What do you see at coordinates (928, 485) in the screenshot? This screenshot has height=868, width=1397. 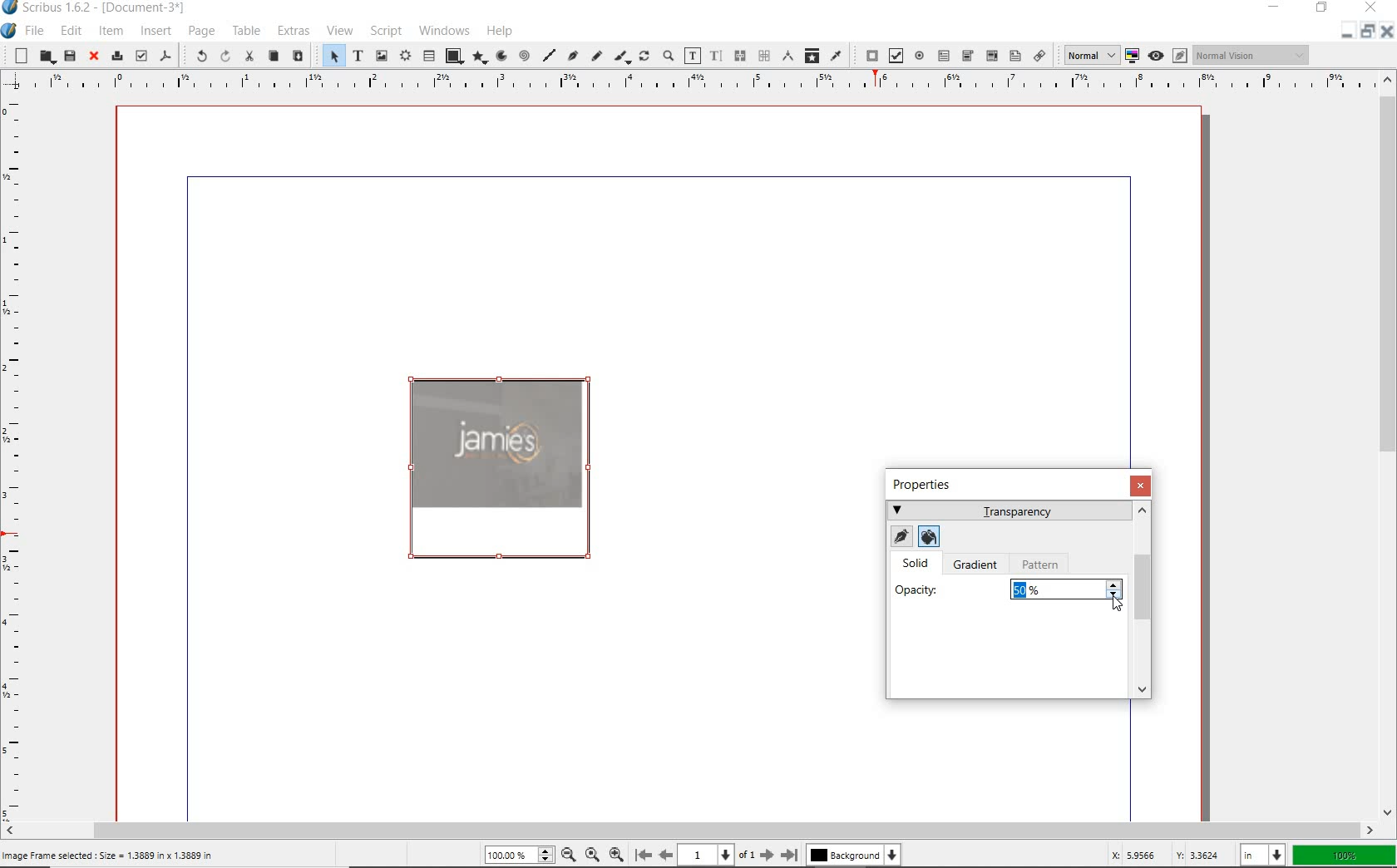 I see `PROPERTIES` at bounding box center [928, 485].